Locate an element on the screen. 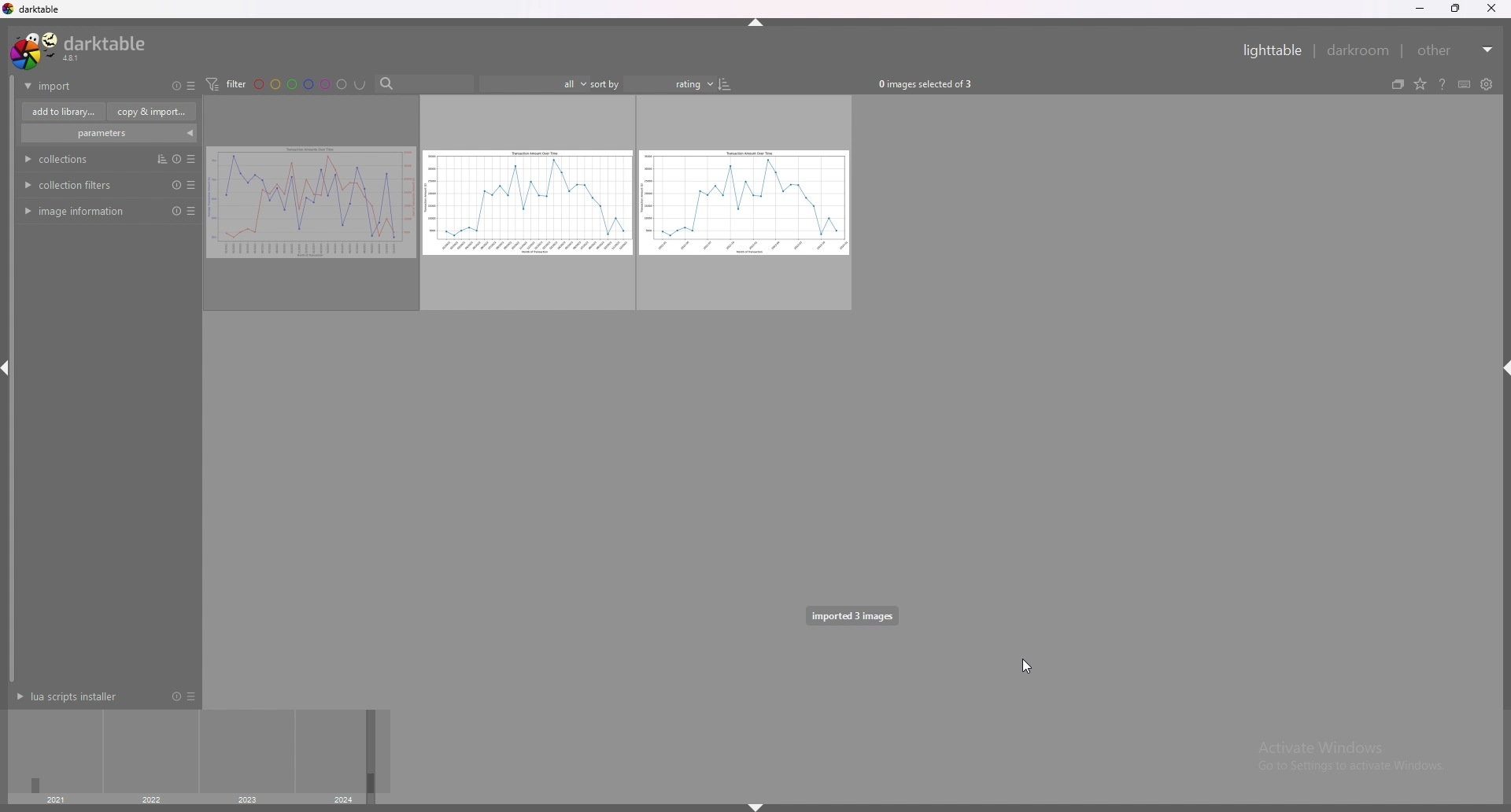 Image resolution: width=1511 pixels, height=812 pixels. other is located at coordinates (1456, 50).